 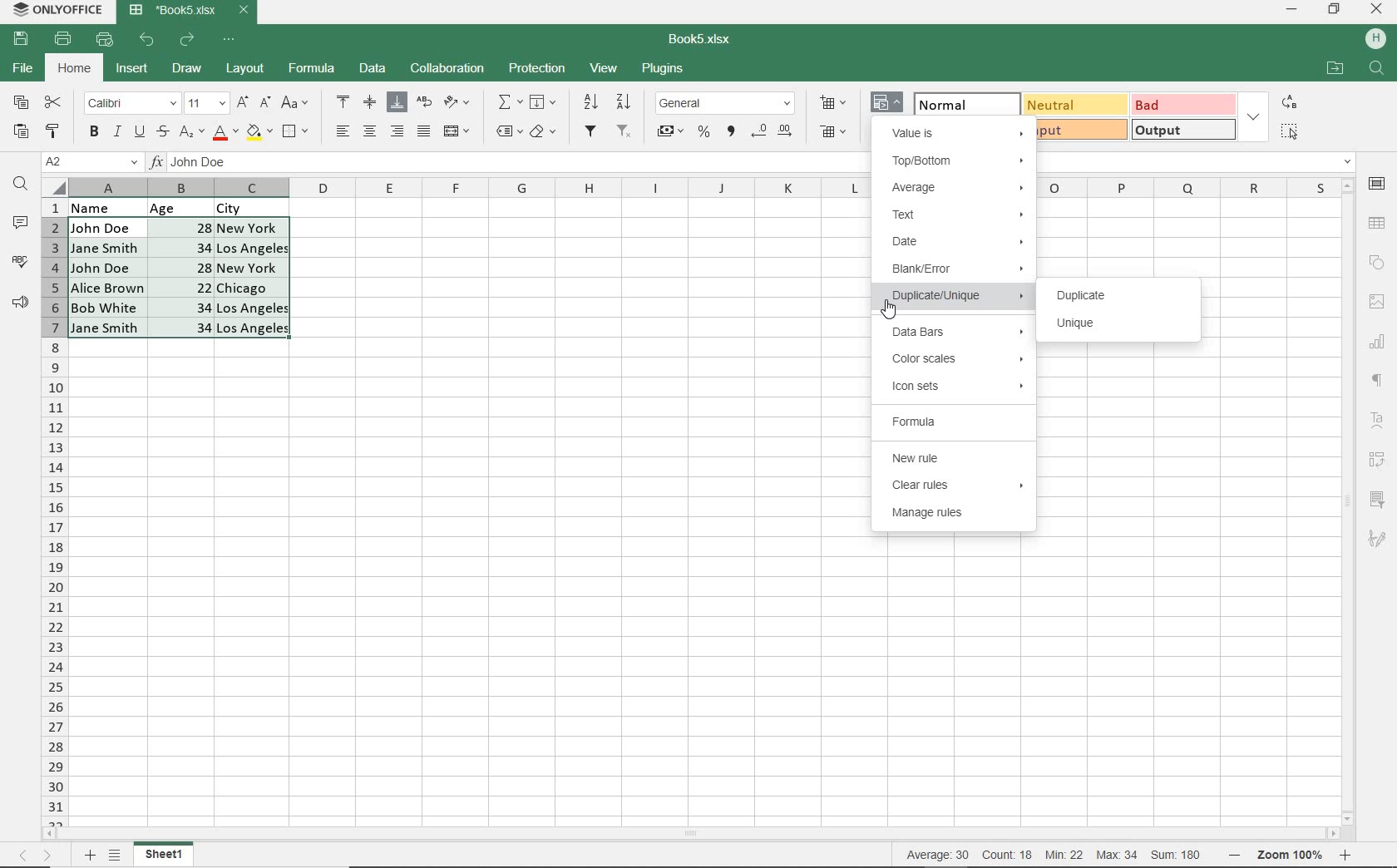 I want to click on COLUMNS, so click(x=470, y=188).